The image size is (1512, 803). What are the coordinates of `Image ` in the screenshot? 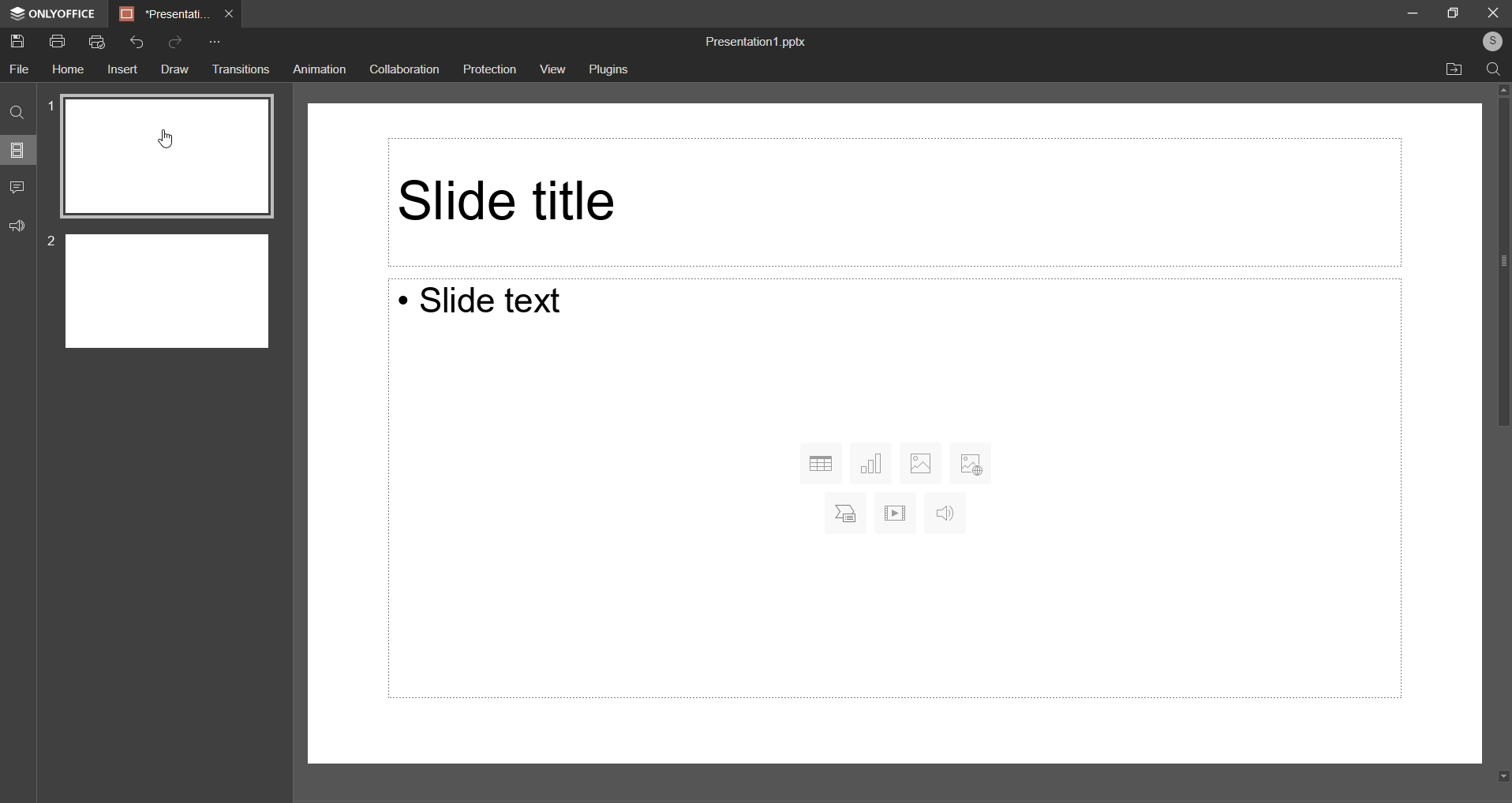 It's located at (920, 461).